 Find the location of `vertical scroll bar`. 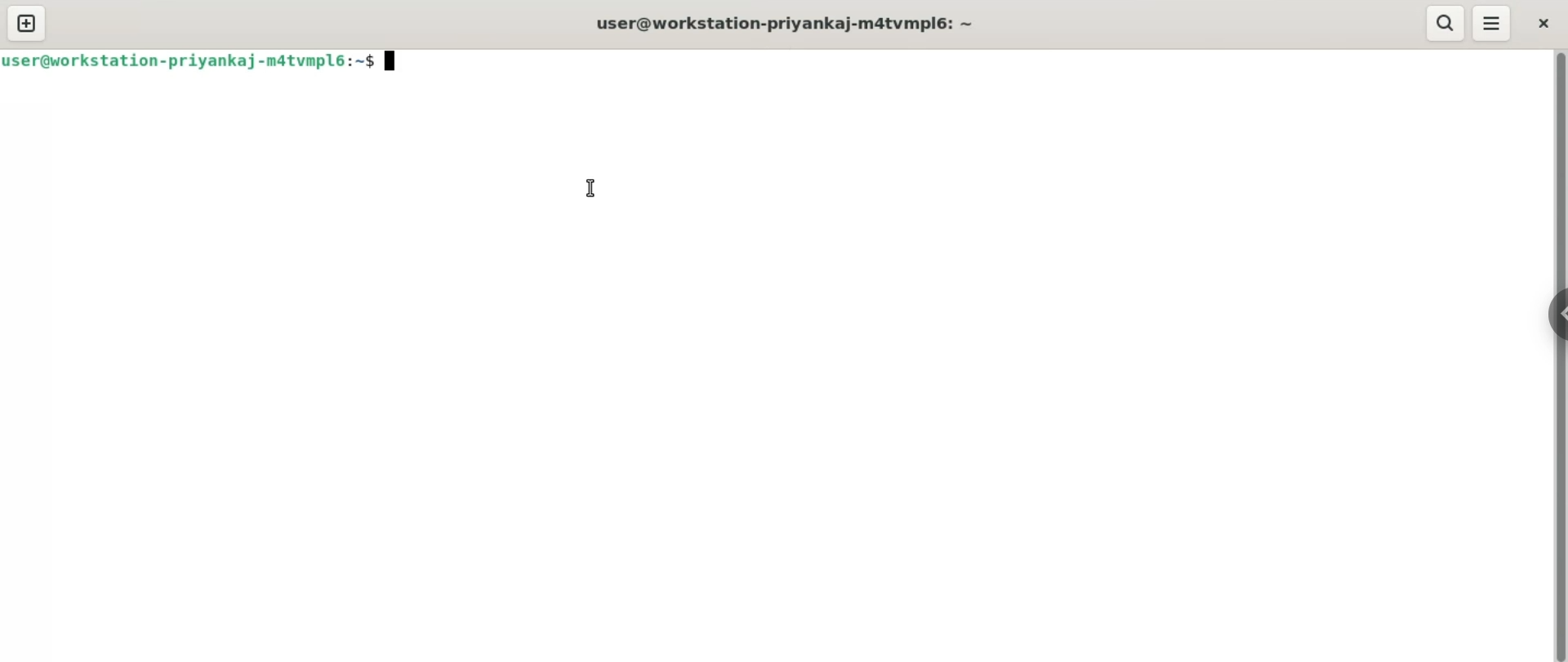

vertical scroll bar is located at coordinates (1558, 357).